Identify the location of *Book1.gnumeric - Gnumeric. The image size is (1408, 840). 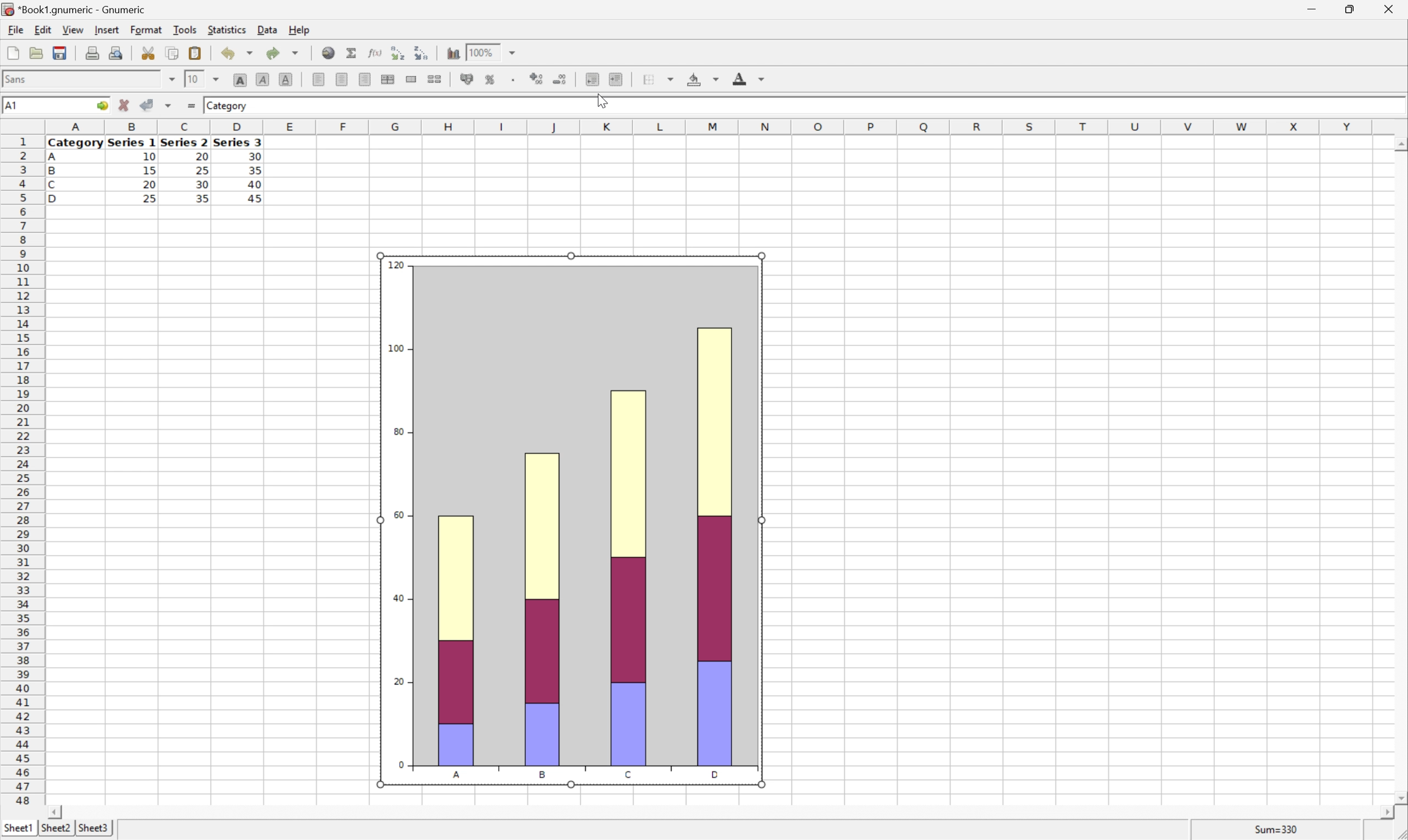
(75, 8).